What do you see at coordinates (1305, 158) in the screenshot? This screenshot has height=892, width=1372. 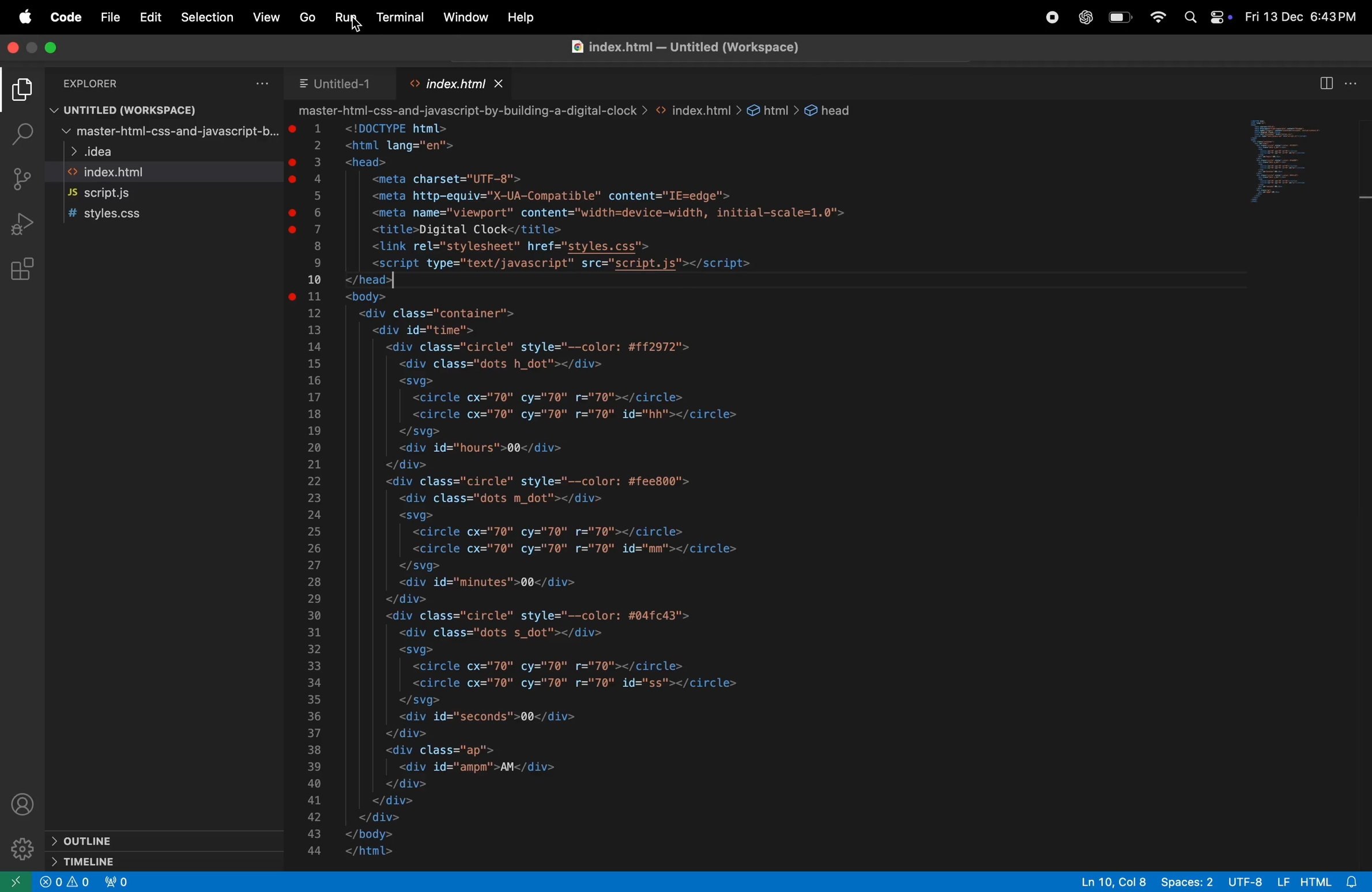 I see `code window` at bounding box center [1305, 158].